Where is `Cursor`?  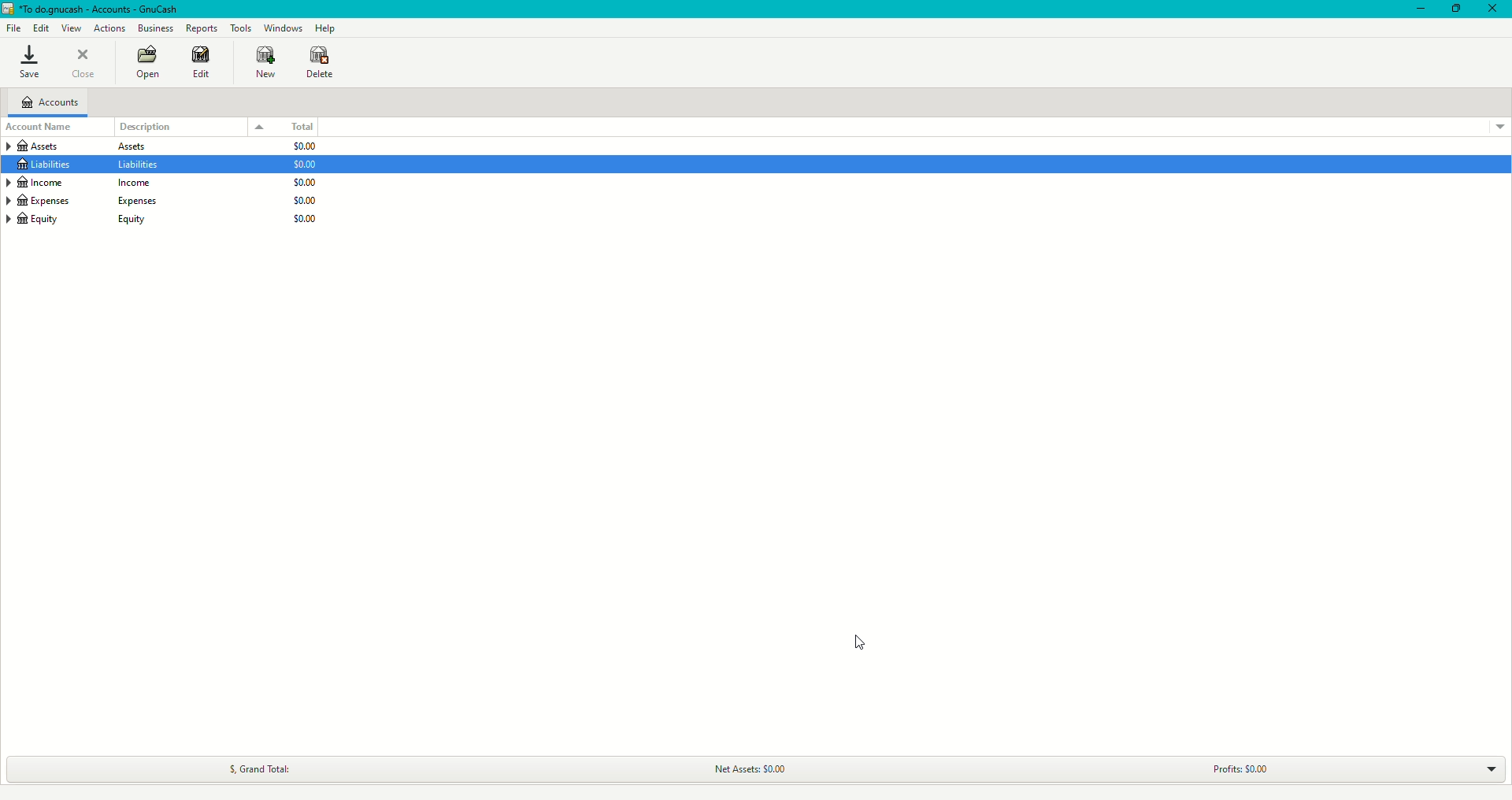
Cursor is located at coordinates (862, 641).